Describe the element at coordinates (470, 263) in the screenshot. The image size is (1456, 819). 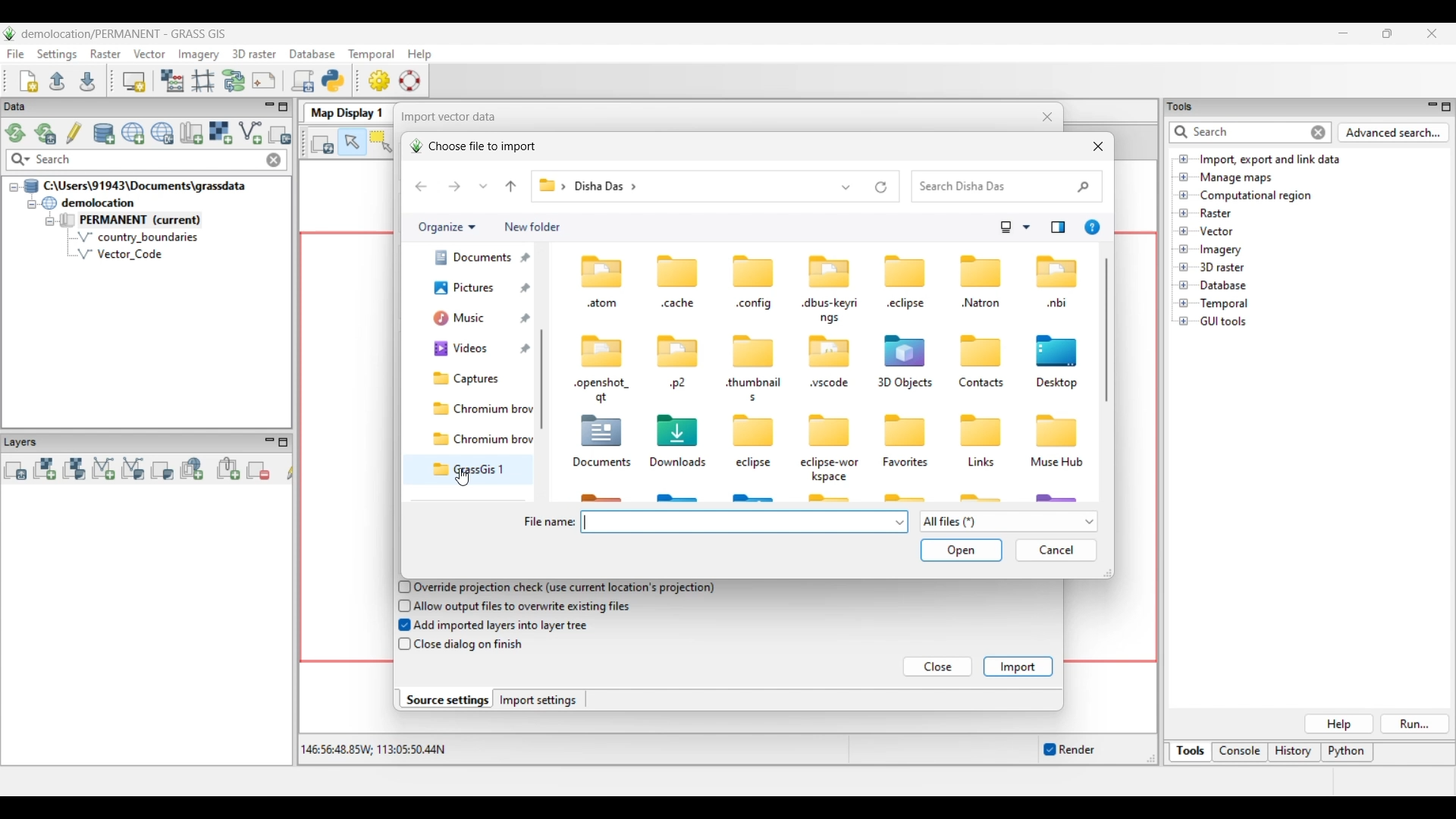
I see `Home folder` at that location.